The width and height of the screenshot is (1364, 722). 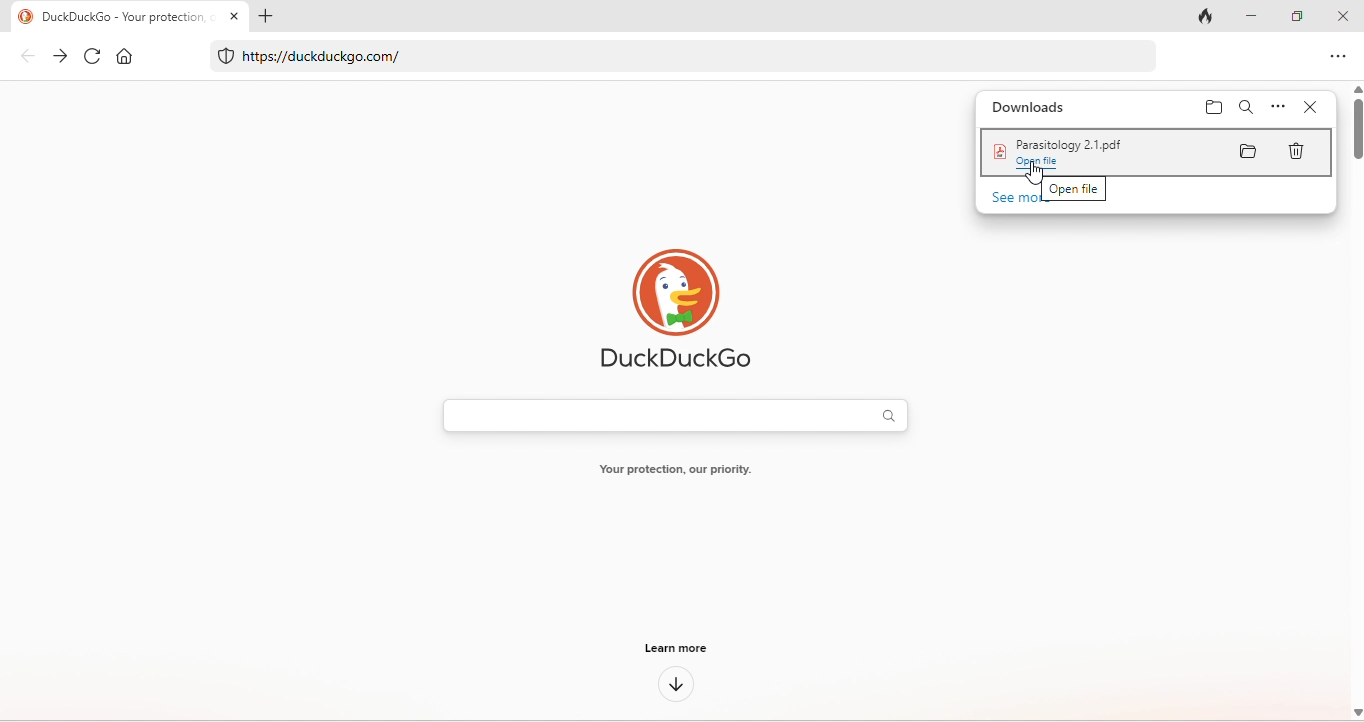 I want to click on down arrow, so click(x=678, y=685).